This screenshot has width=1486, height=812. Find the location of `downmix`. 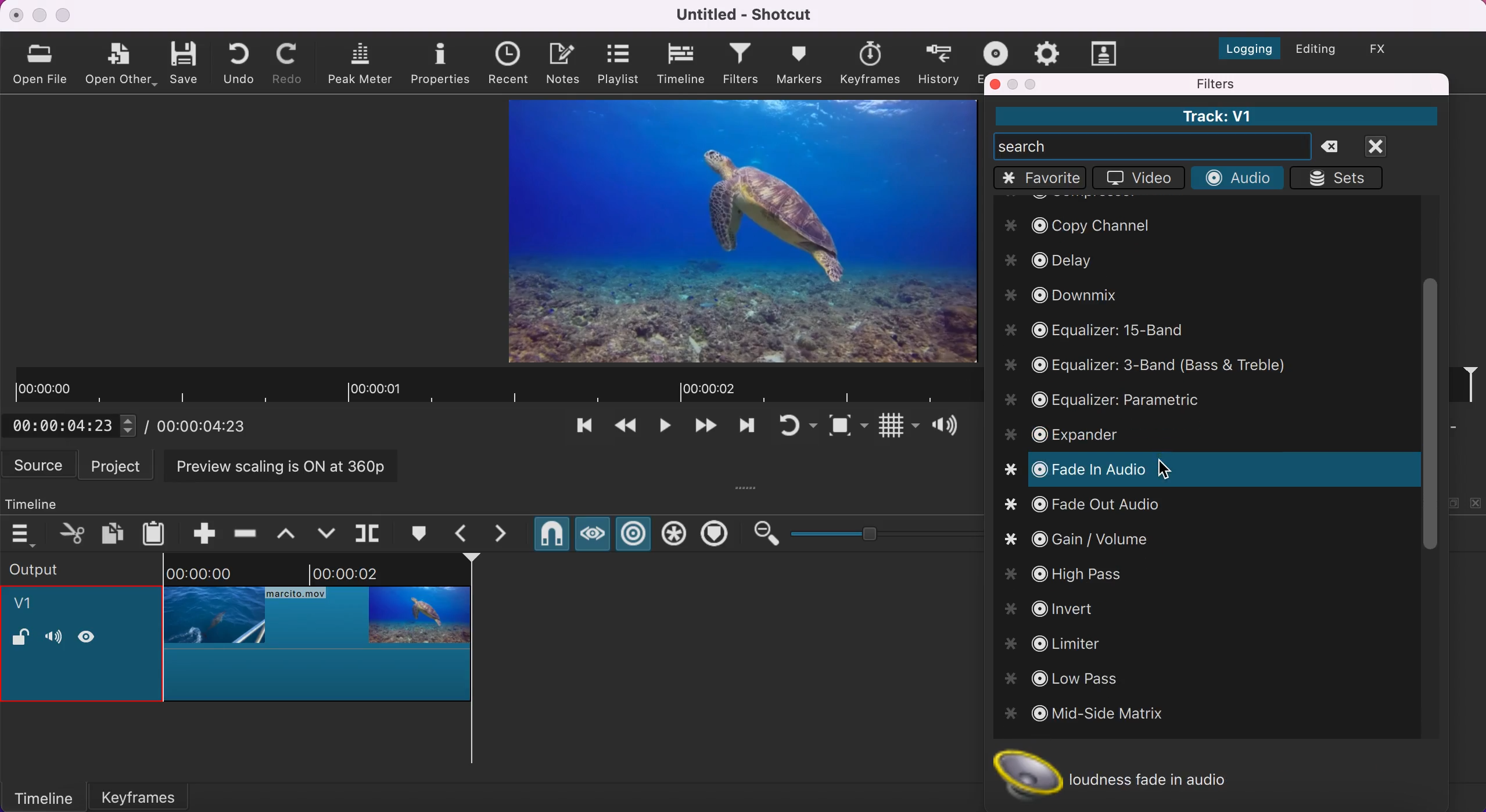

downmix is located at coordinates (1066, 296).